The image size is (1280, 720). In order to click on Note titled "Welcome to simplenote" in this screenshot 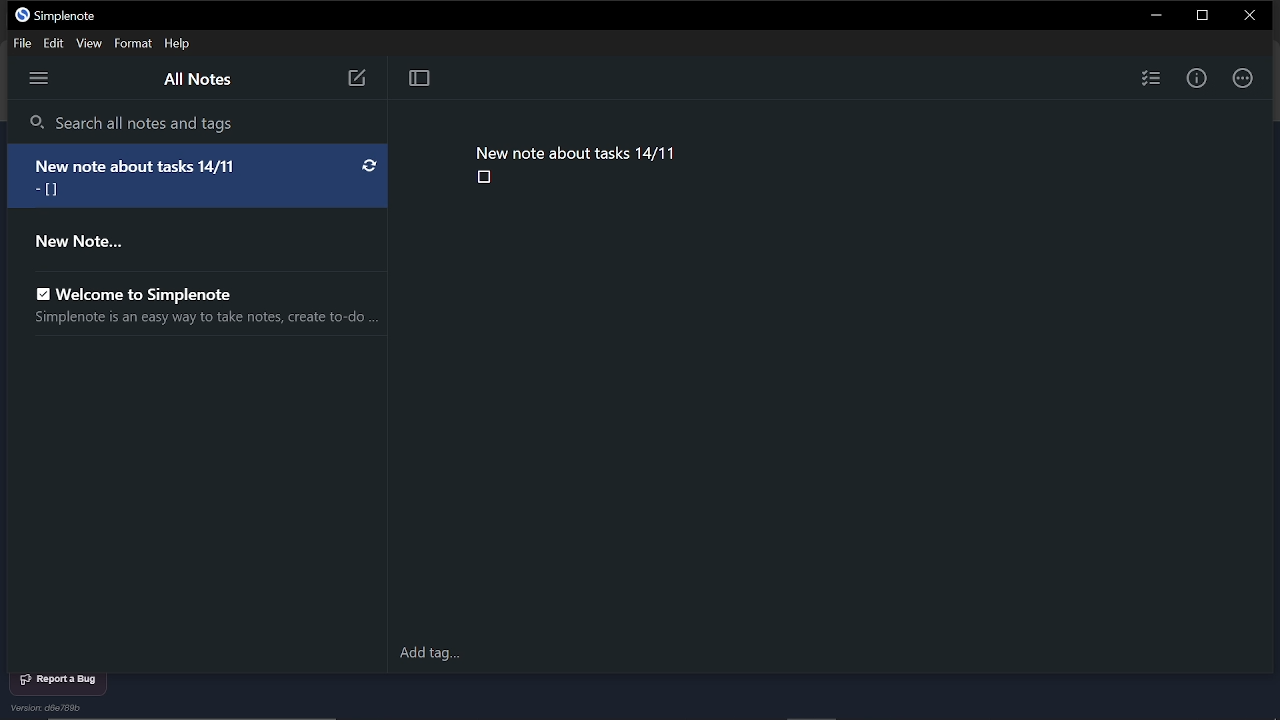, I will do `click(169, 292)`.